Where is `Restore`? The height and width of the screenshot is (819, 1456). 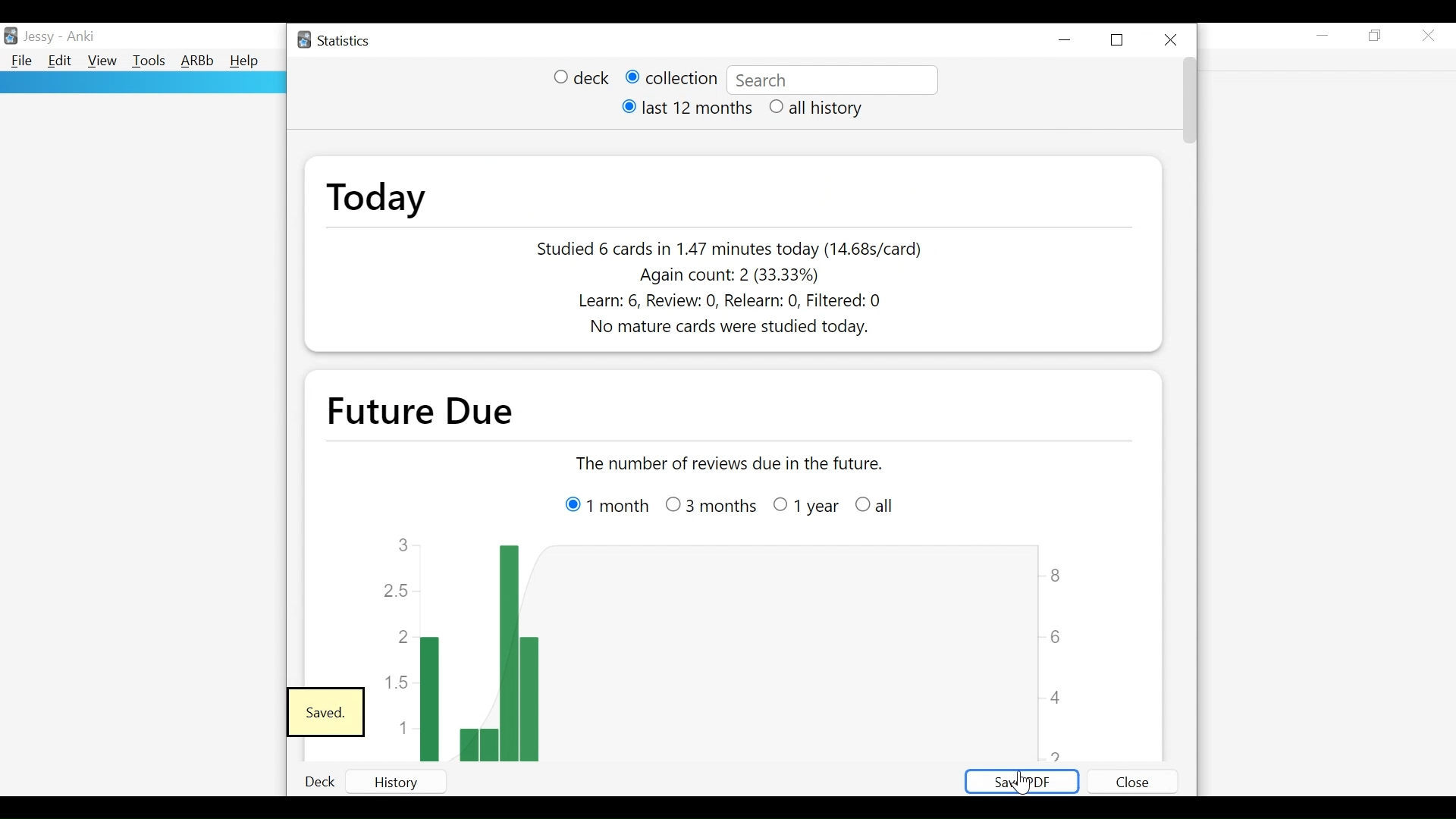
Restore is located at coordinates (1377, 36).